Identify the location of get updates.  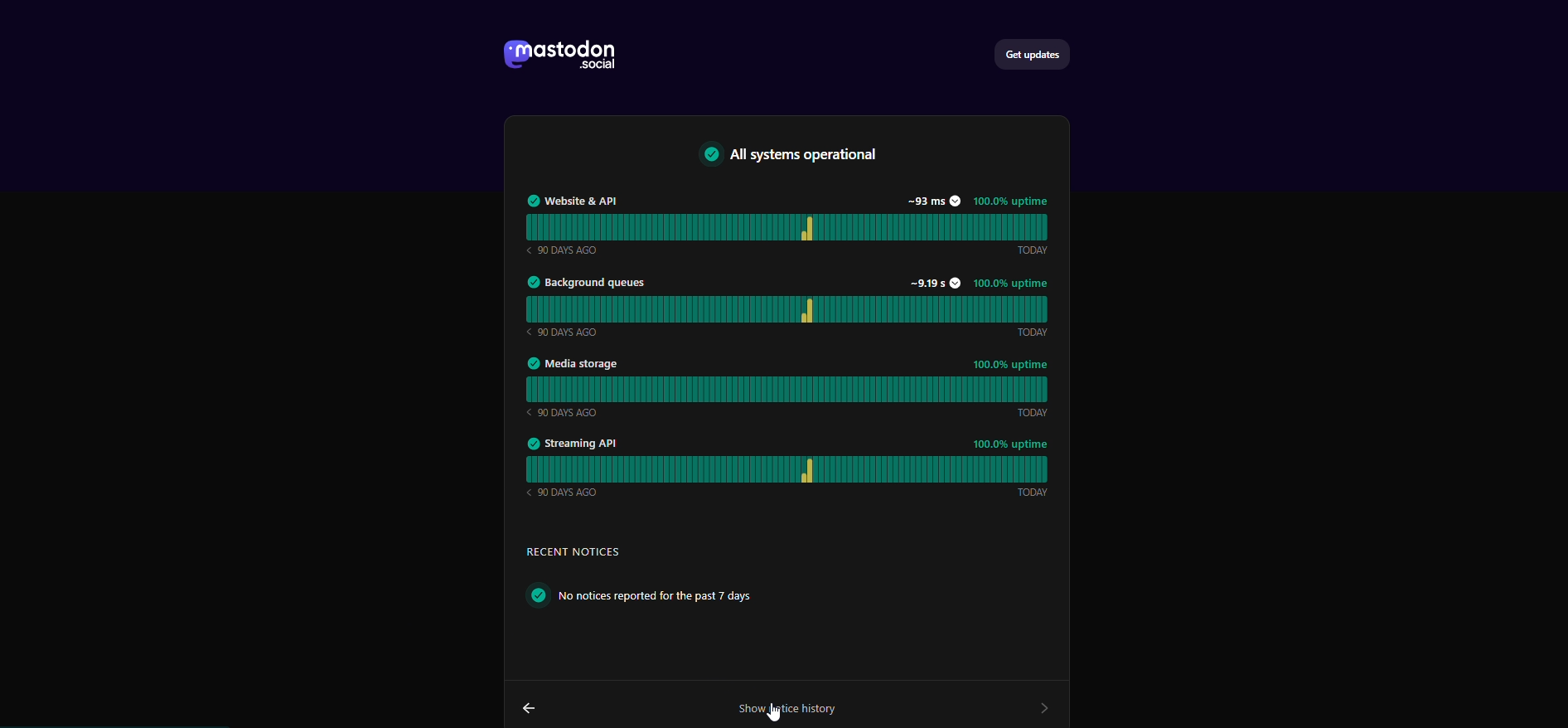
(1041, 52).